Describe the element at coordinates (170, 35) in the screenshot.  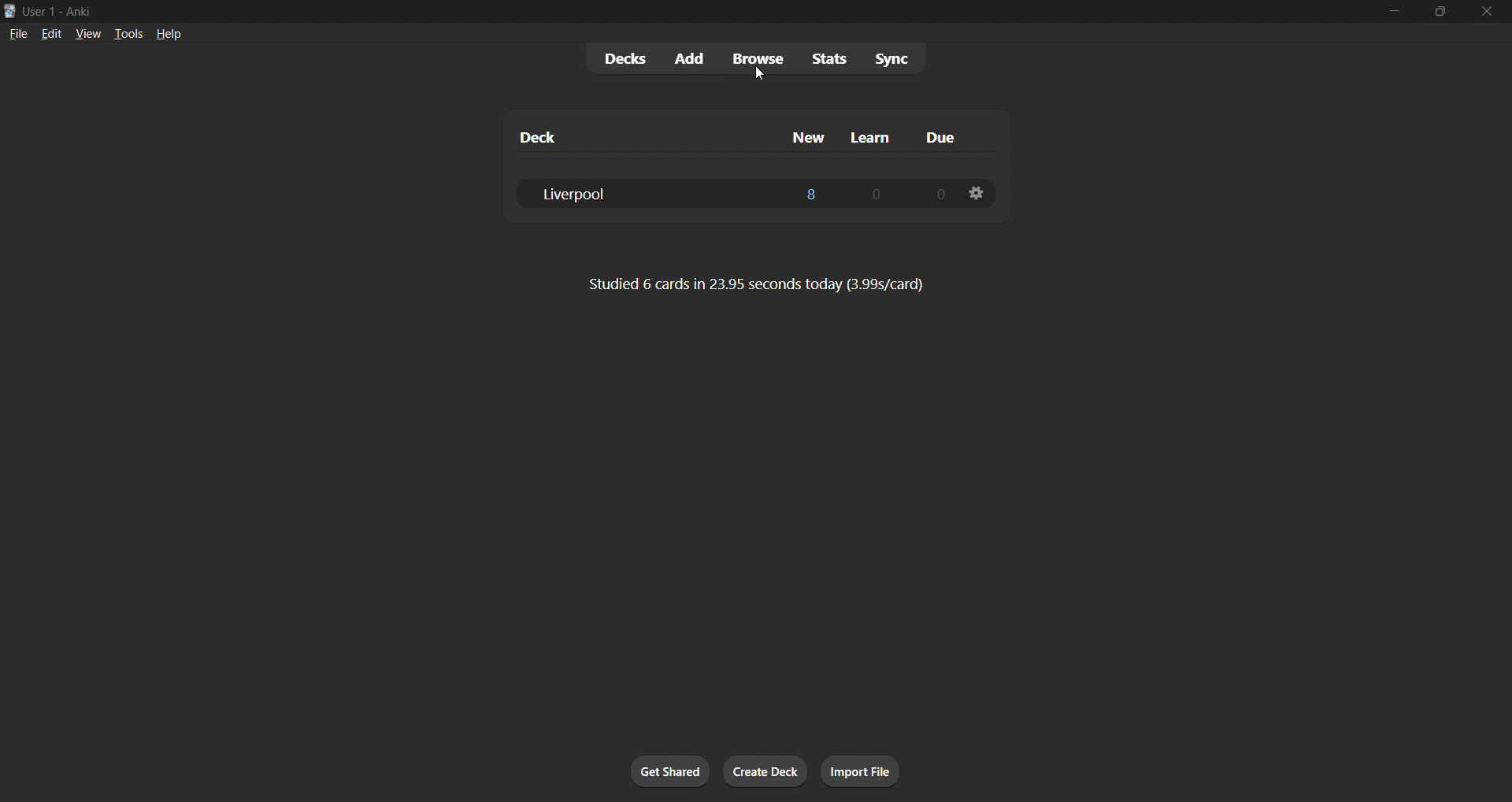
I see `help` at that location.